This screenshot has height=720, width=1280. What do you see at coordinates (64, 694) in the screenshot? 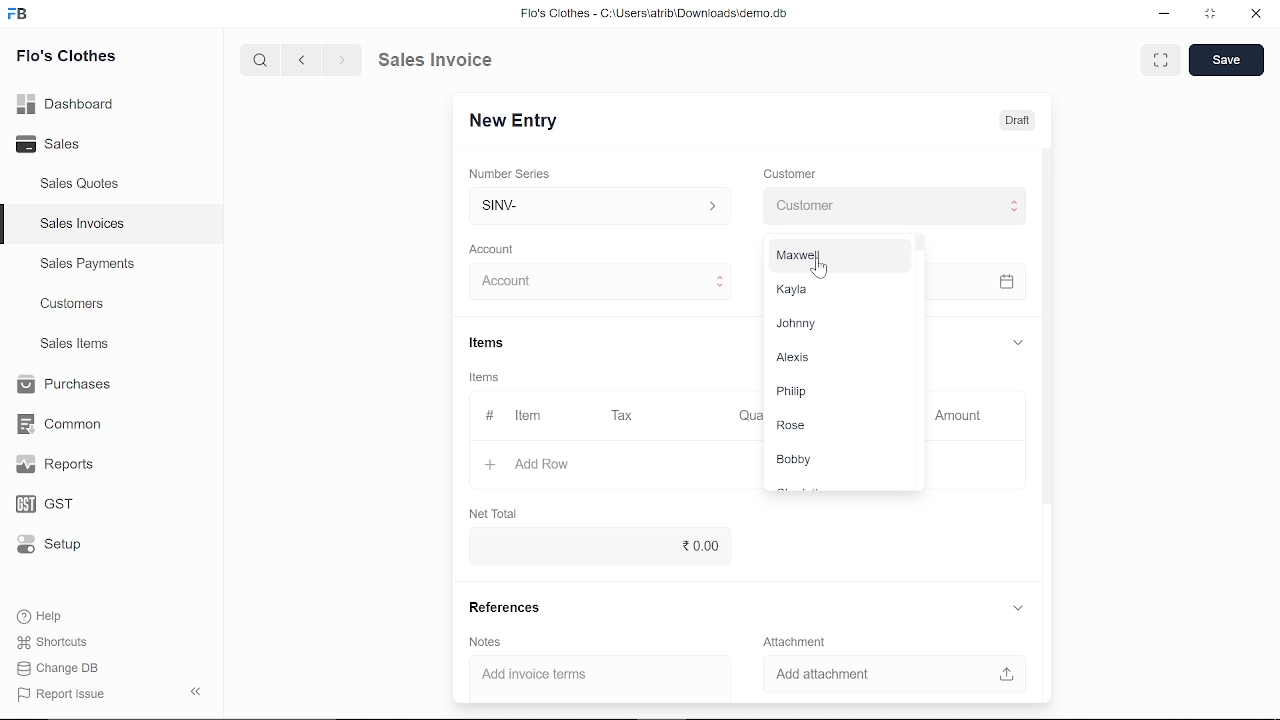
I see `| Report Issue:` at bounding box center [64, 694].